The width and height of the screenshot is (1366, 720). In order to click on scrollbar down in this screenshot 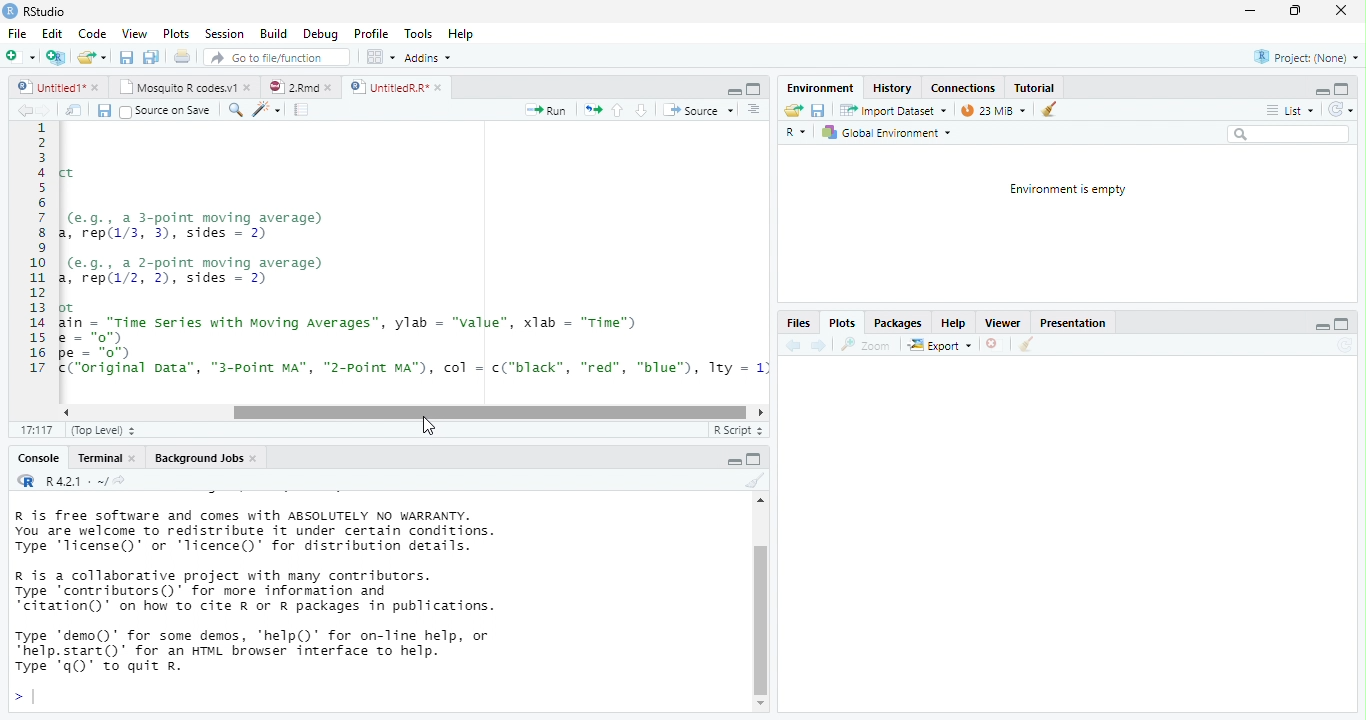, I will do `click(761, 704)`.